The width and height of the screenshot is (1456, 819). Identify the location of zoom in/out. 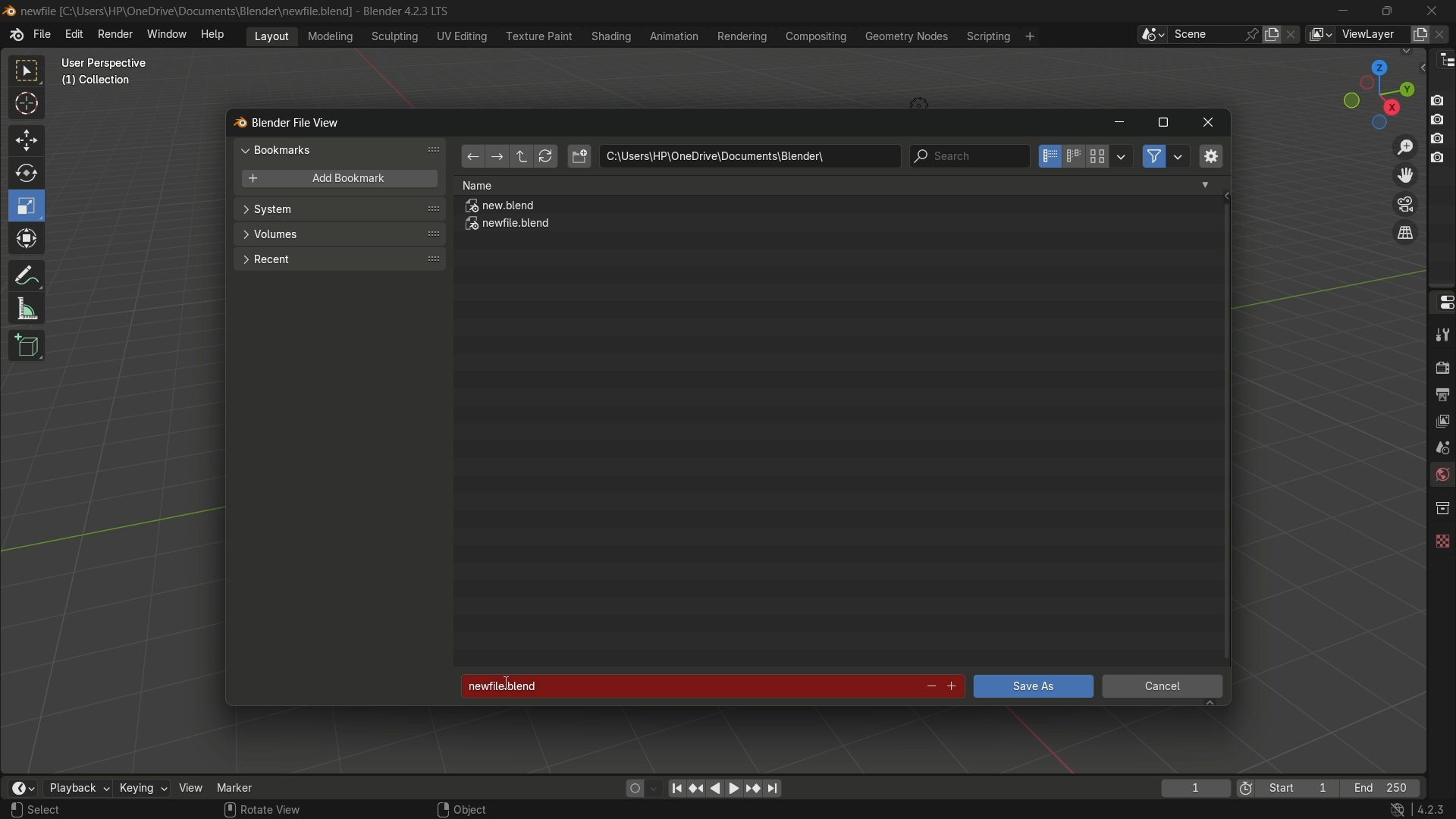
(1406, 145).